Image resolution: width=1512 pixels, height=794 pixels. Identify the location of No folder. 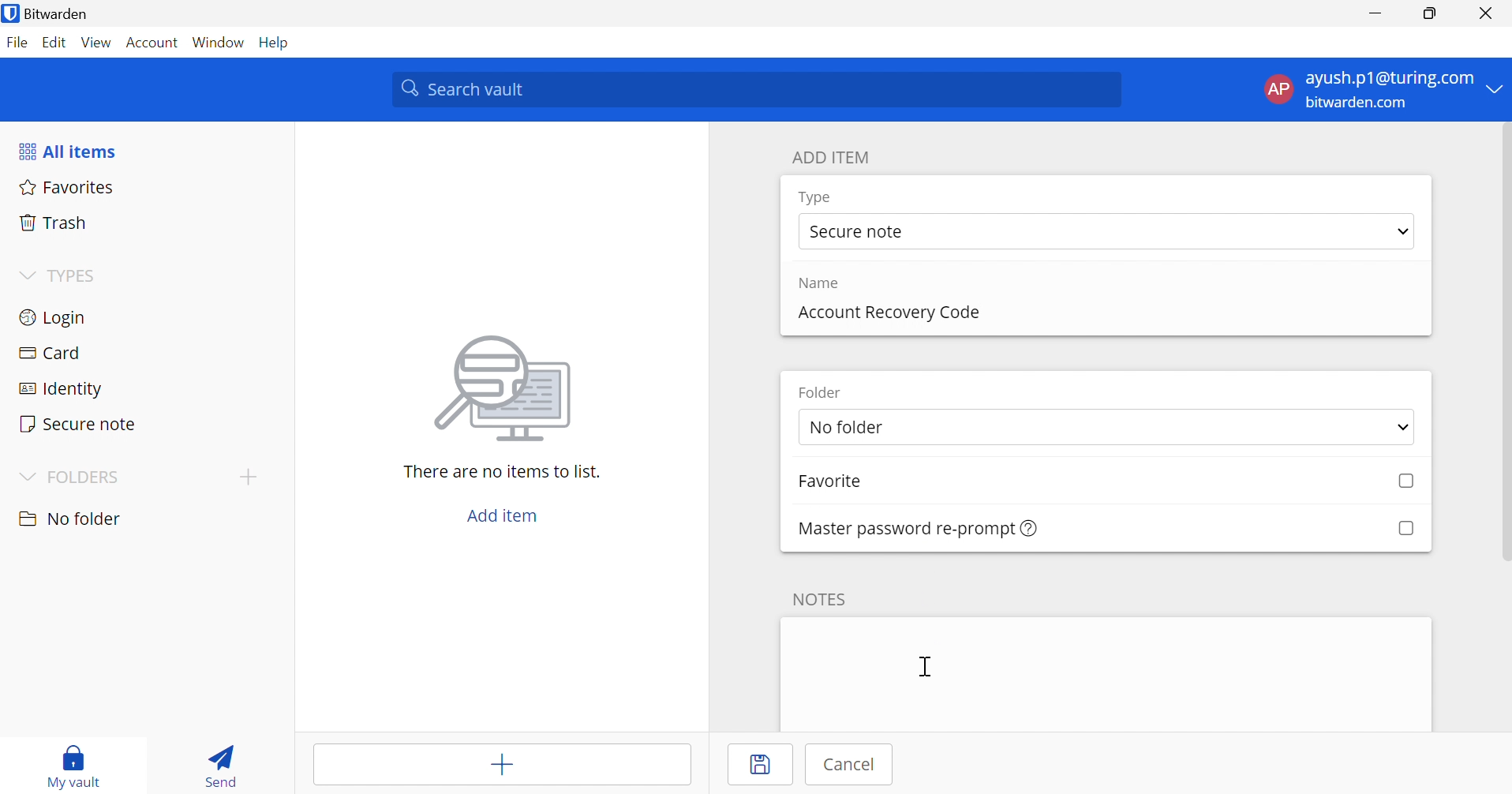
(919, 429).